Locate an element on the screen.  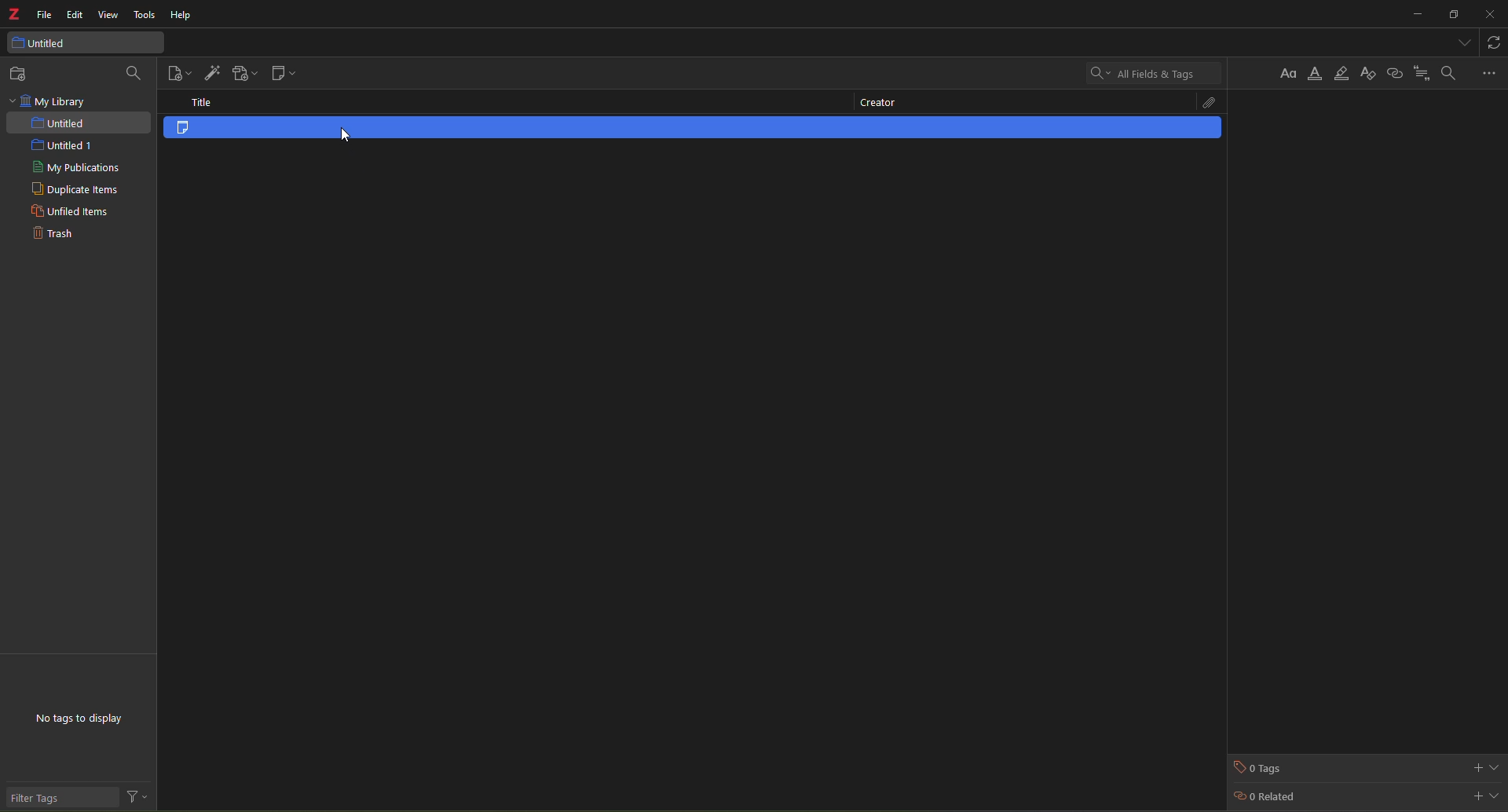
new item is located at coordinates (178, 74).